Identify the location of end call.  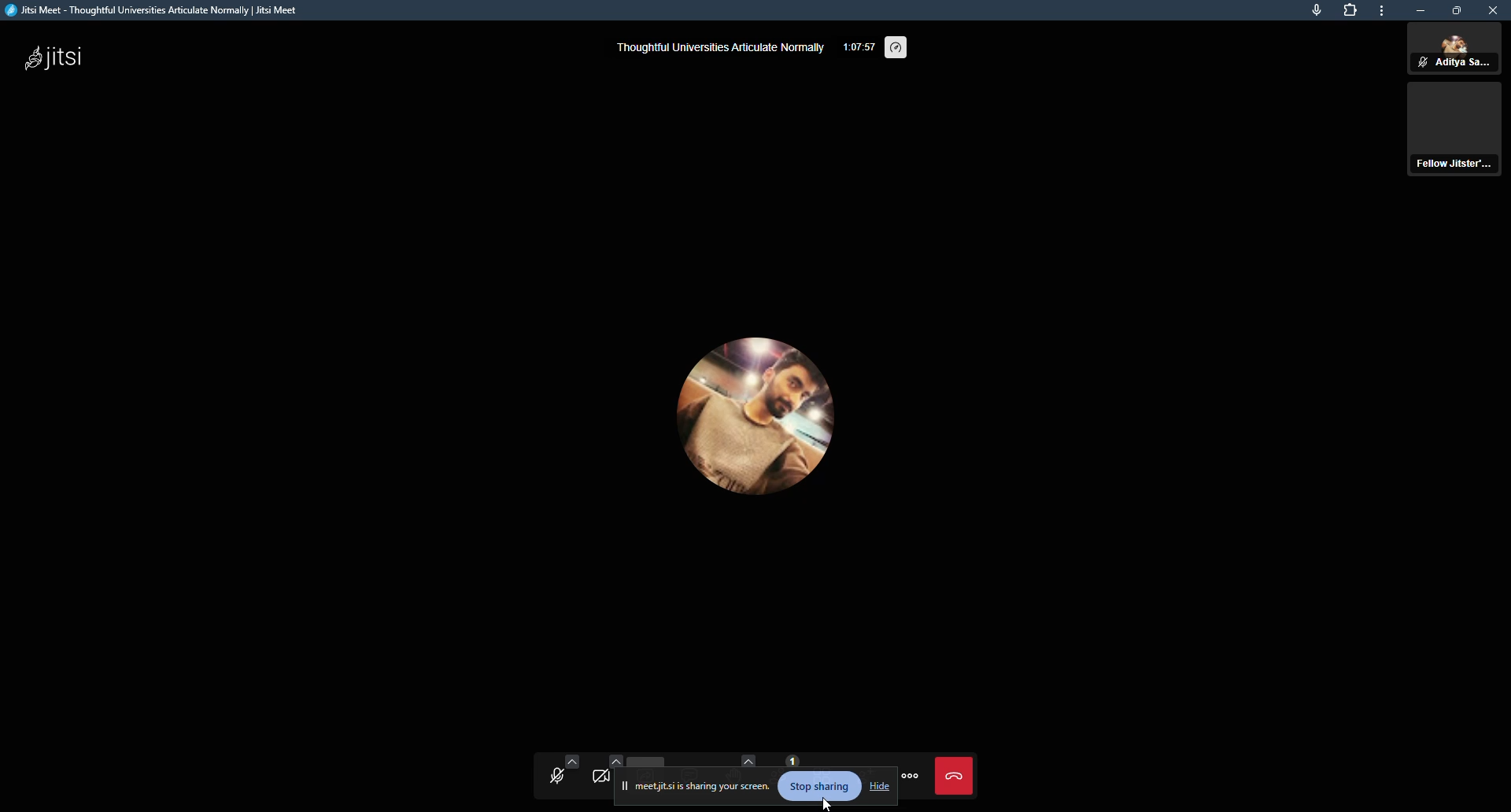
(957, 777).